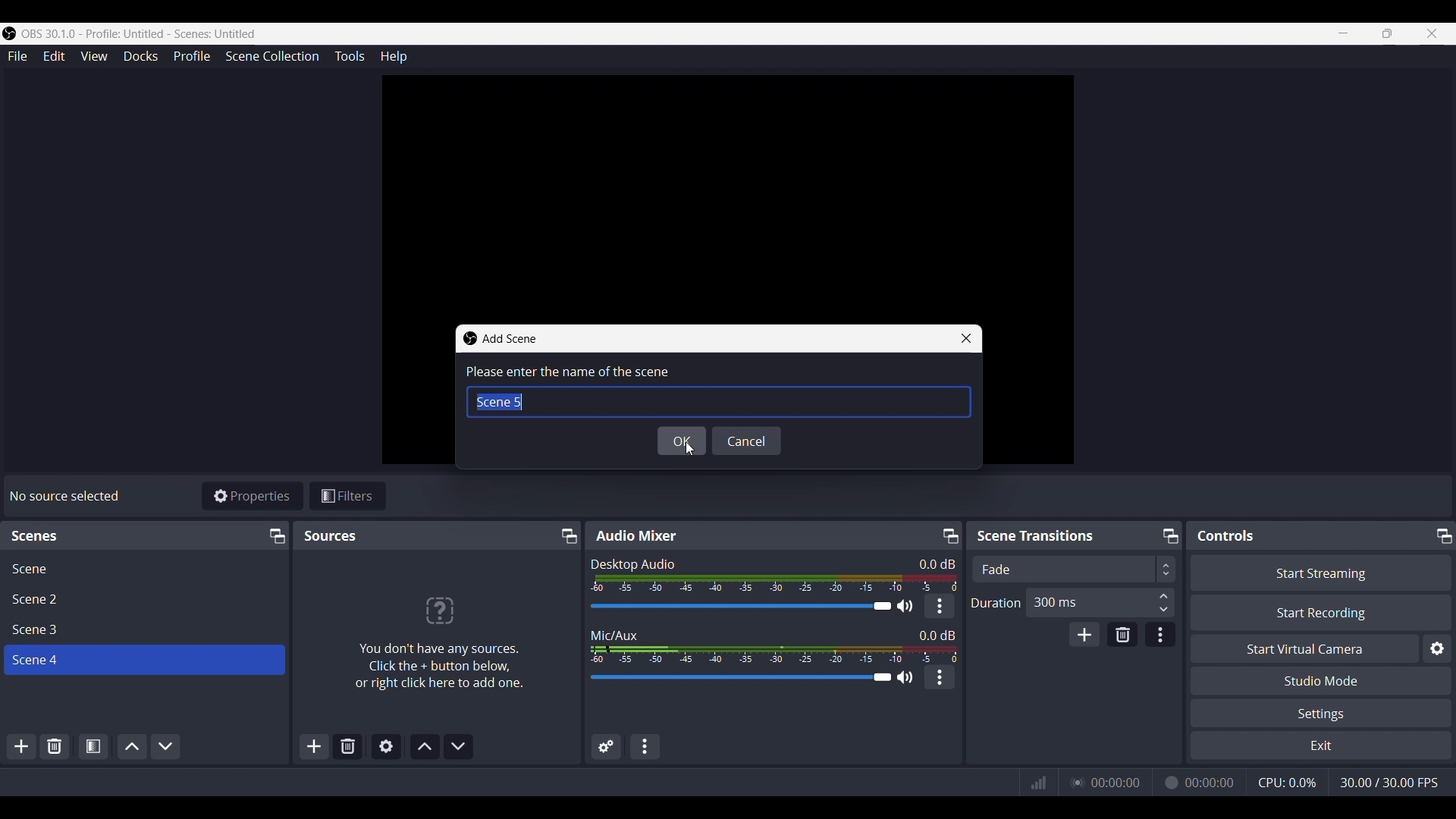  I want to click on Cursor, so click(690, 451).